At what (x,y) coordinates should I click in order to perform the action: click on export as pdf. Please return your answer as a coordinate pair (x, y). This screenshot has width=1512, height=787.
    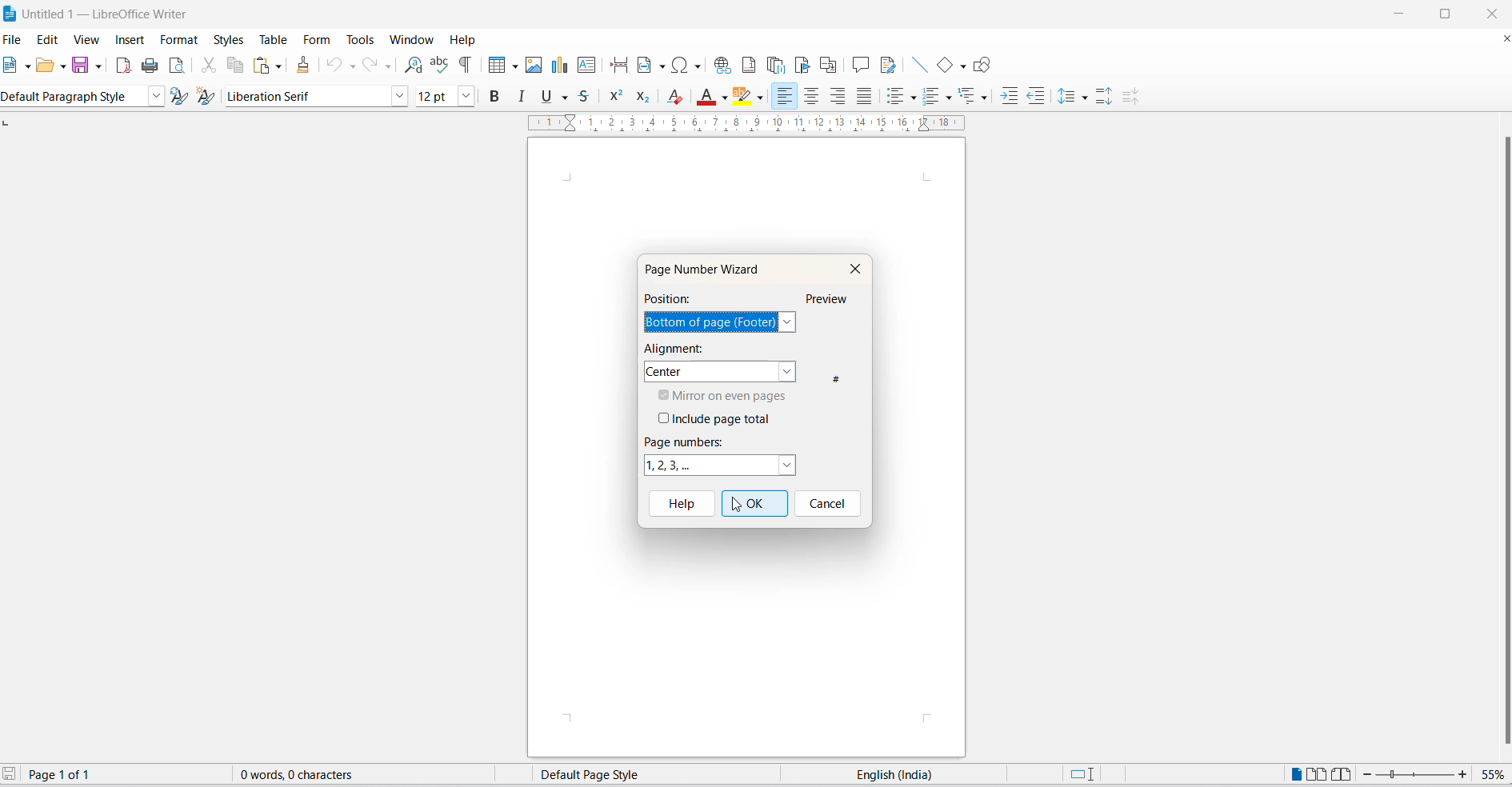
    Looking at the image, I should click on (122, 69).